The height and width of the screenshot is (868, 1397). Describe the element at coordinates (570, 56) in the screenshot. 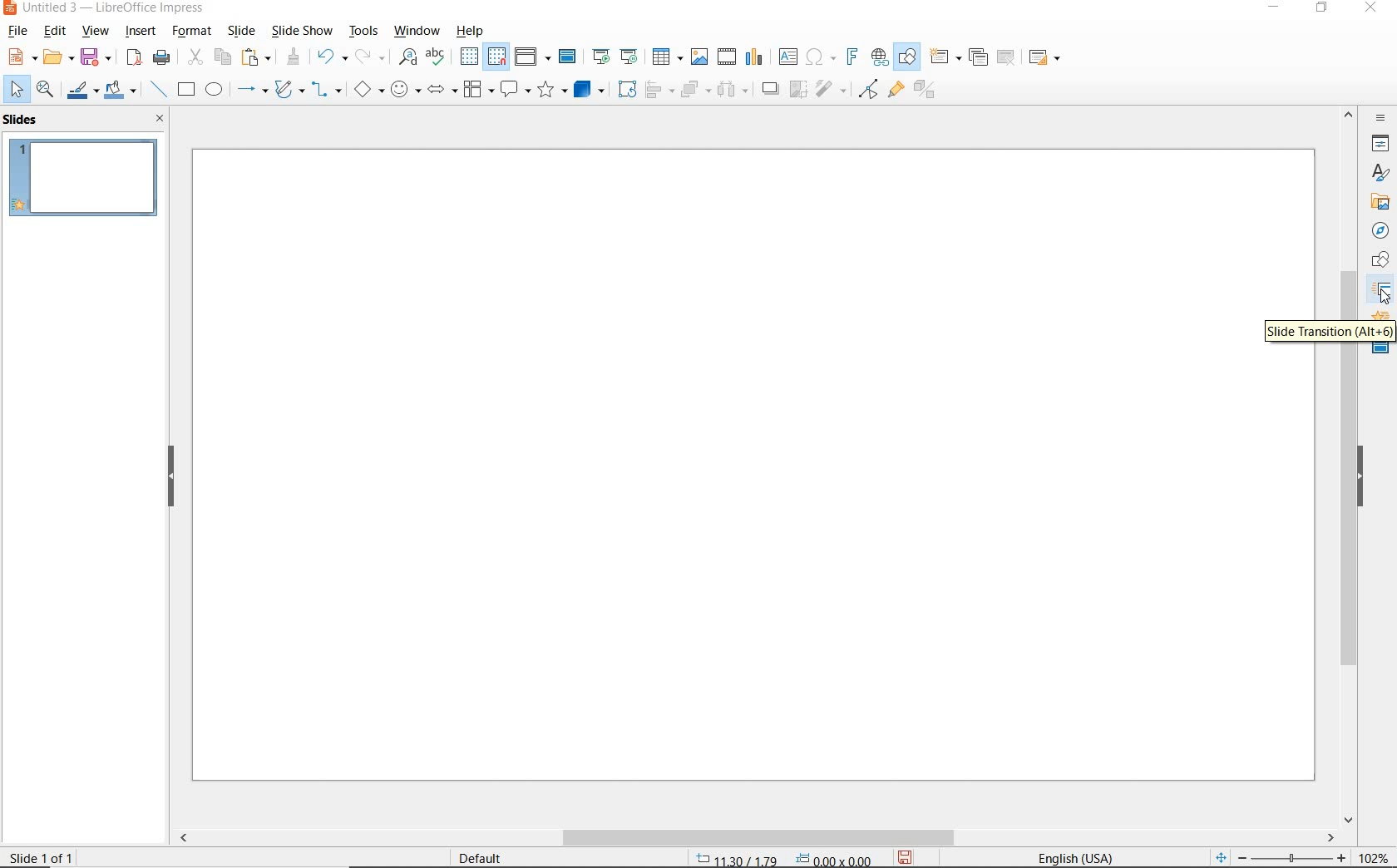

I see `` at that location.